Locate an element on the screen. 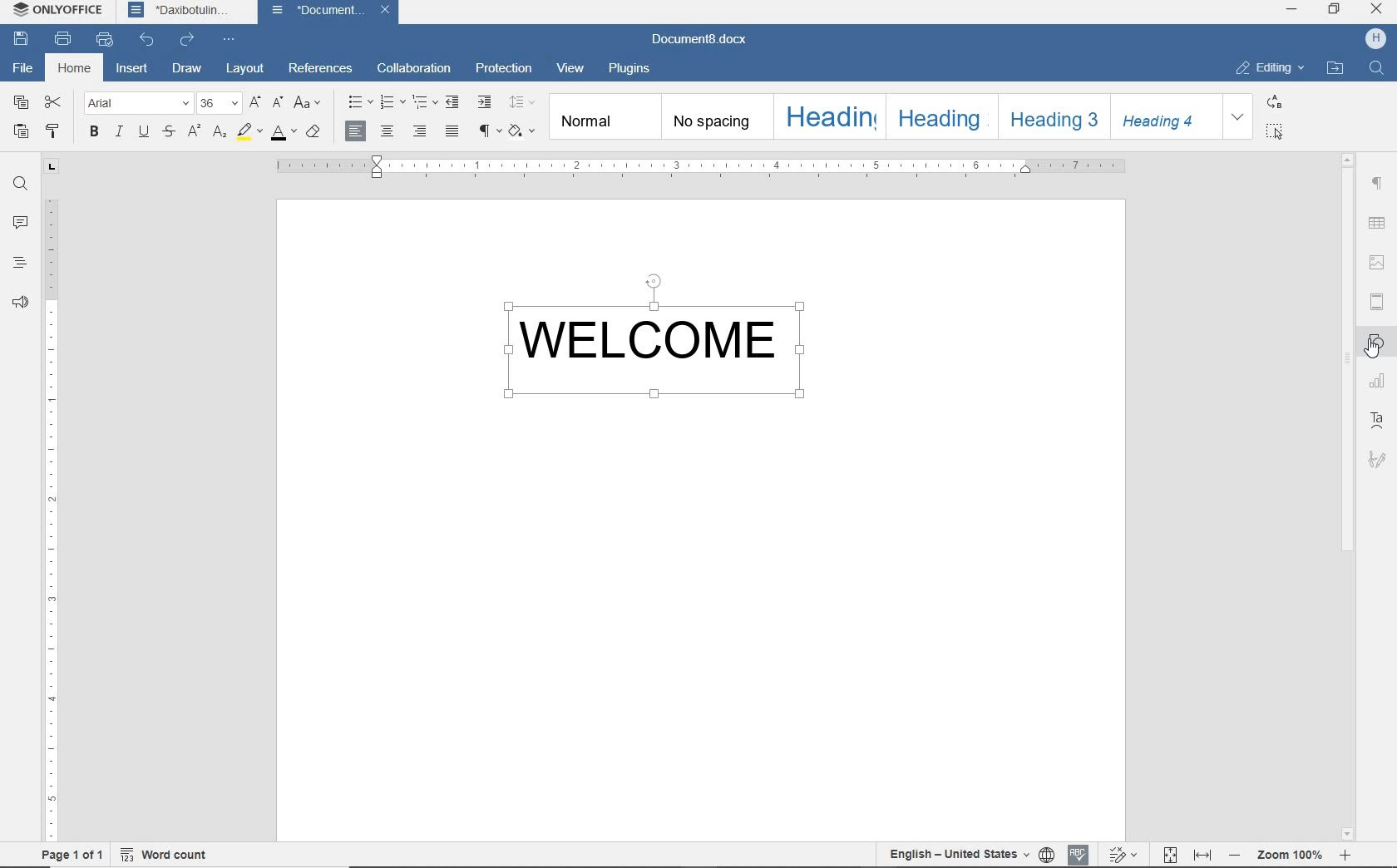  PARAGRAPH LINE SPACING is located at coordinates (521, 101).